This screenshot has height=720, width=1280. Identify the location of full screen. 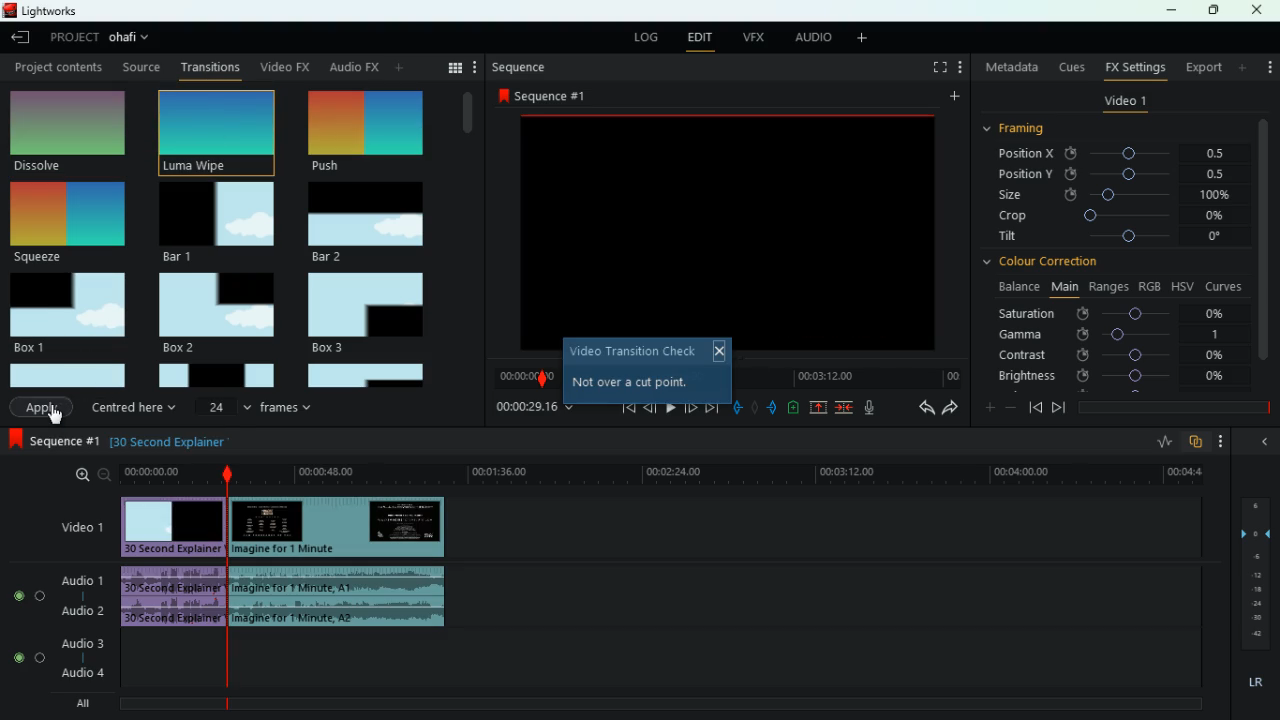
(940, 69).